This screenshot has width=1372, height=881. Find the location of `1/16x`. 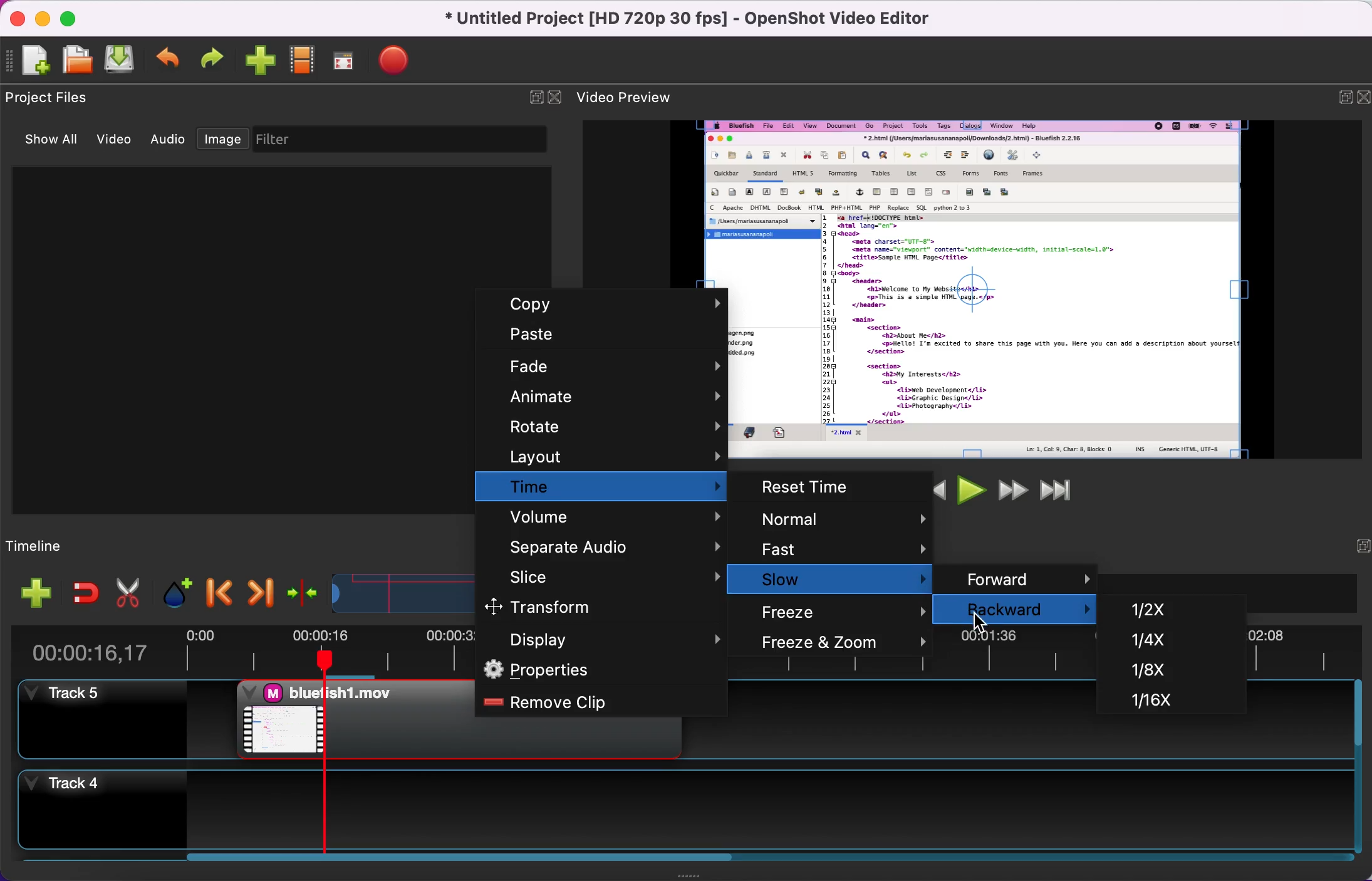

1/16x is located at coordinates (1141, 701).